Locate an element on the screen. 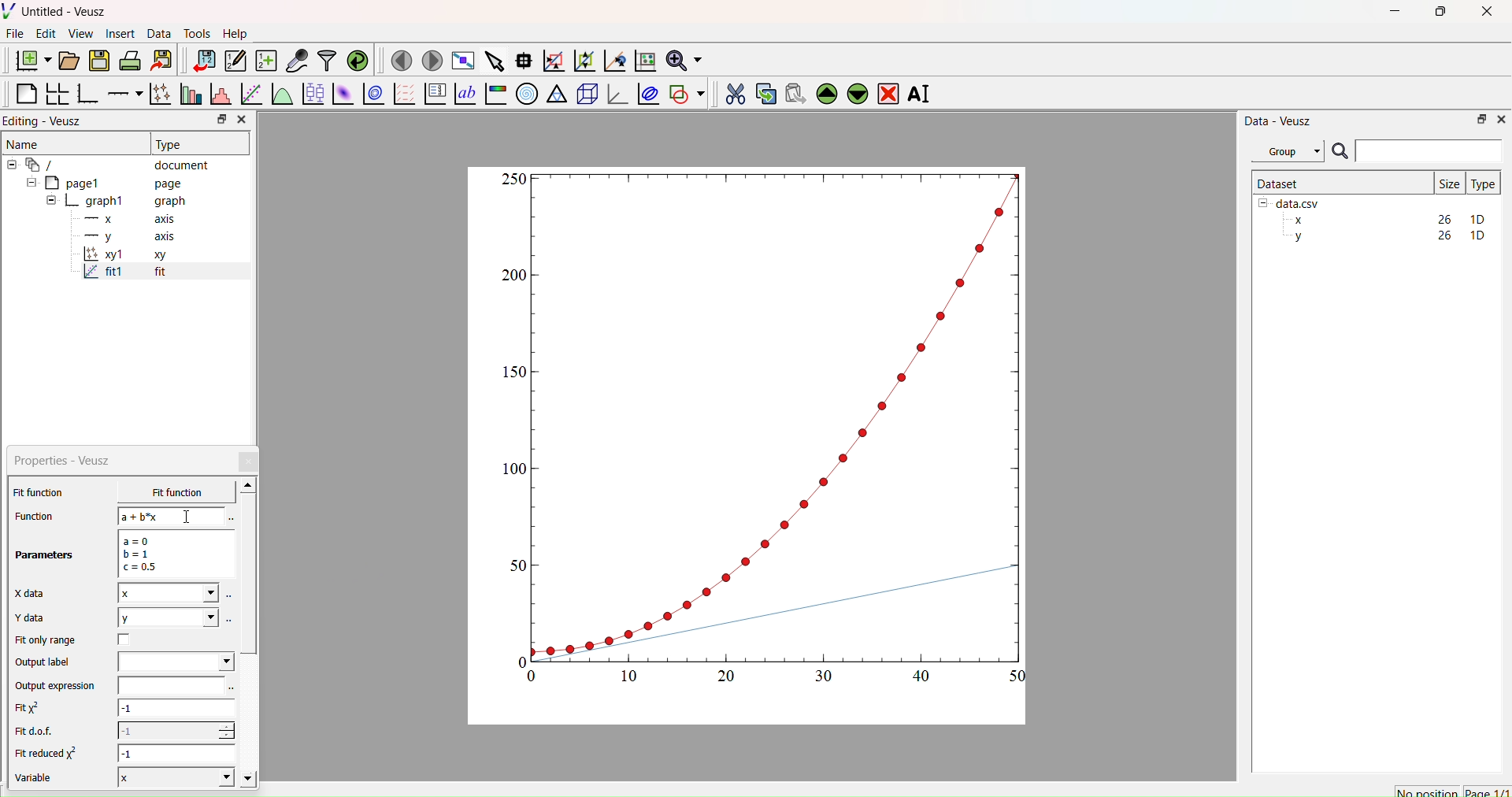 This screenshot has height=797, width=1512. Fit function is located at coordinates (40, 492).